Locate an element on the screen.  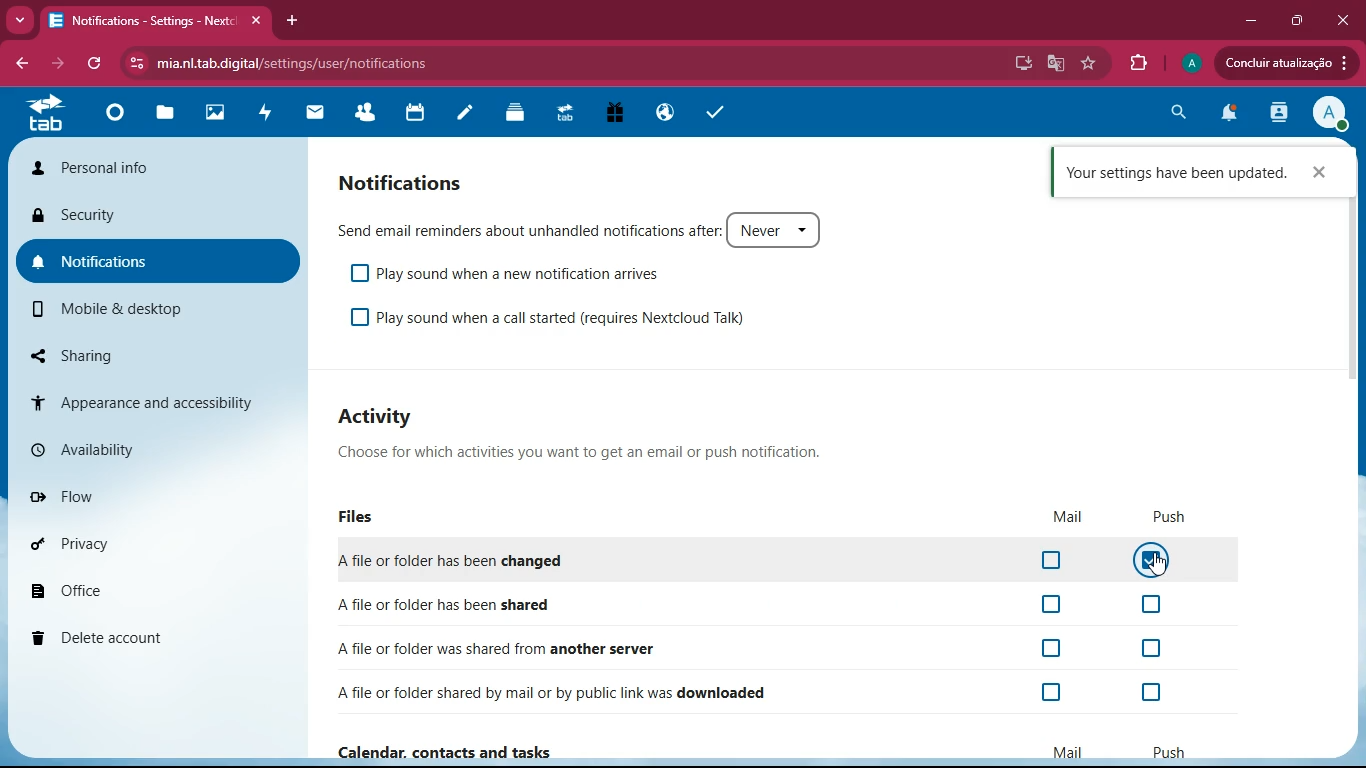
mail is located at coordinates (1062, 750).